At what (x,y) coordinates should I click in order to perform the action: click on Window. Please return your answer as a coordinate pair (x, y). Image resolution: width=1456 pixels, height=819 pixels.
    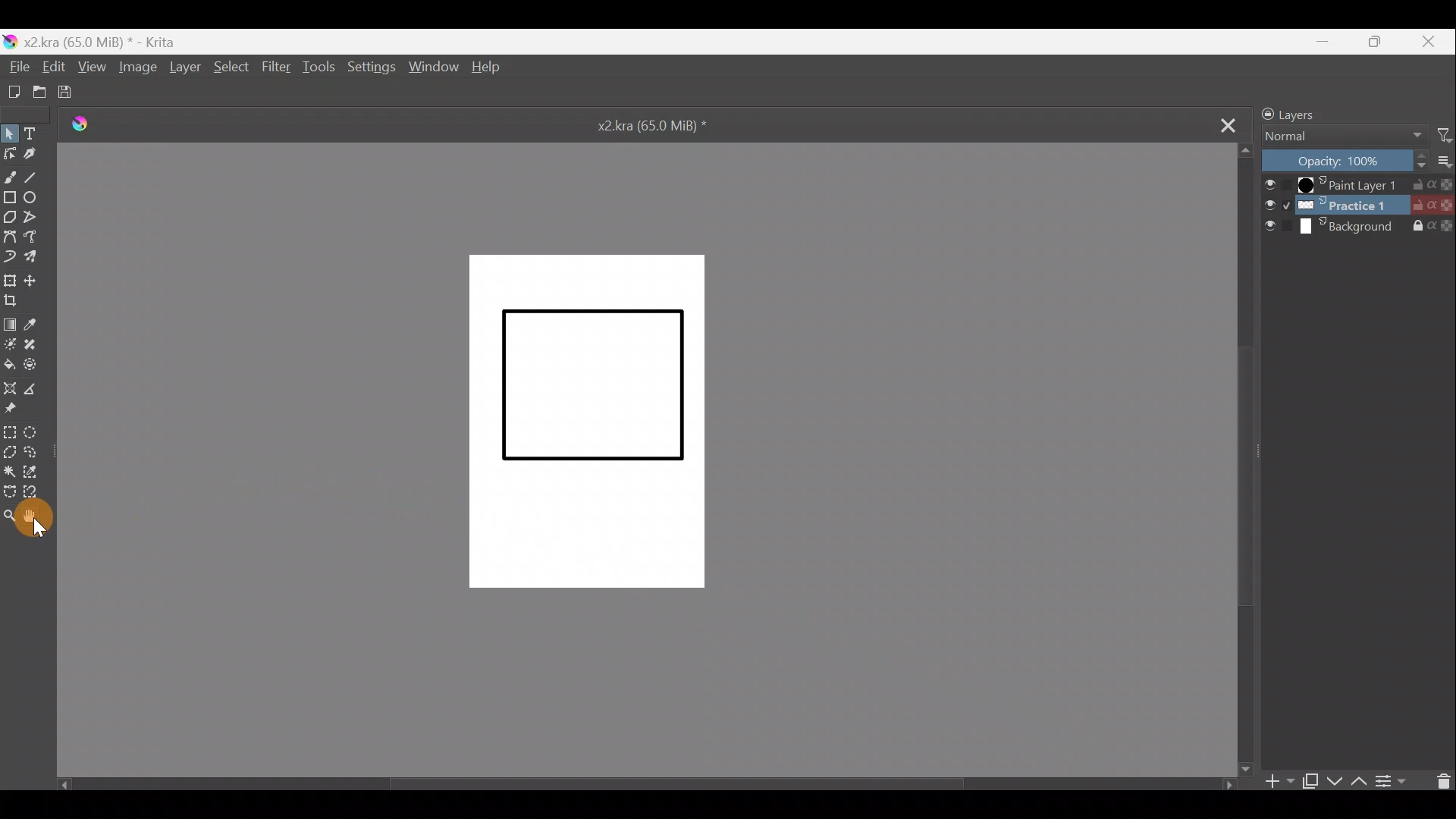
    Looking at the image, I should click on (431, 68).